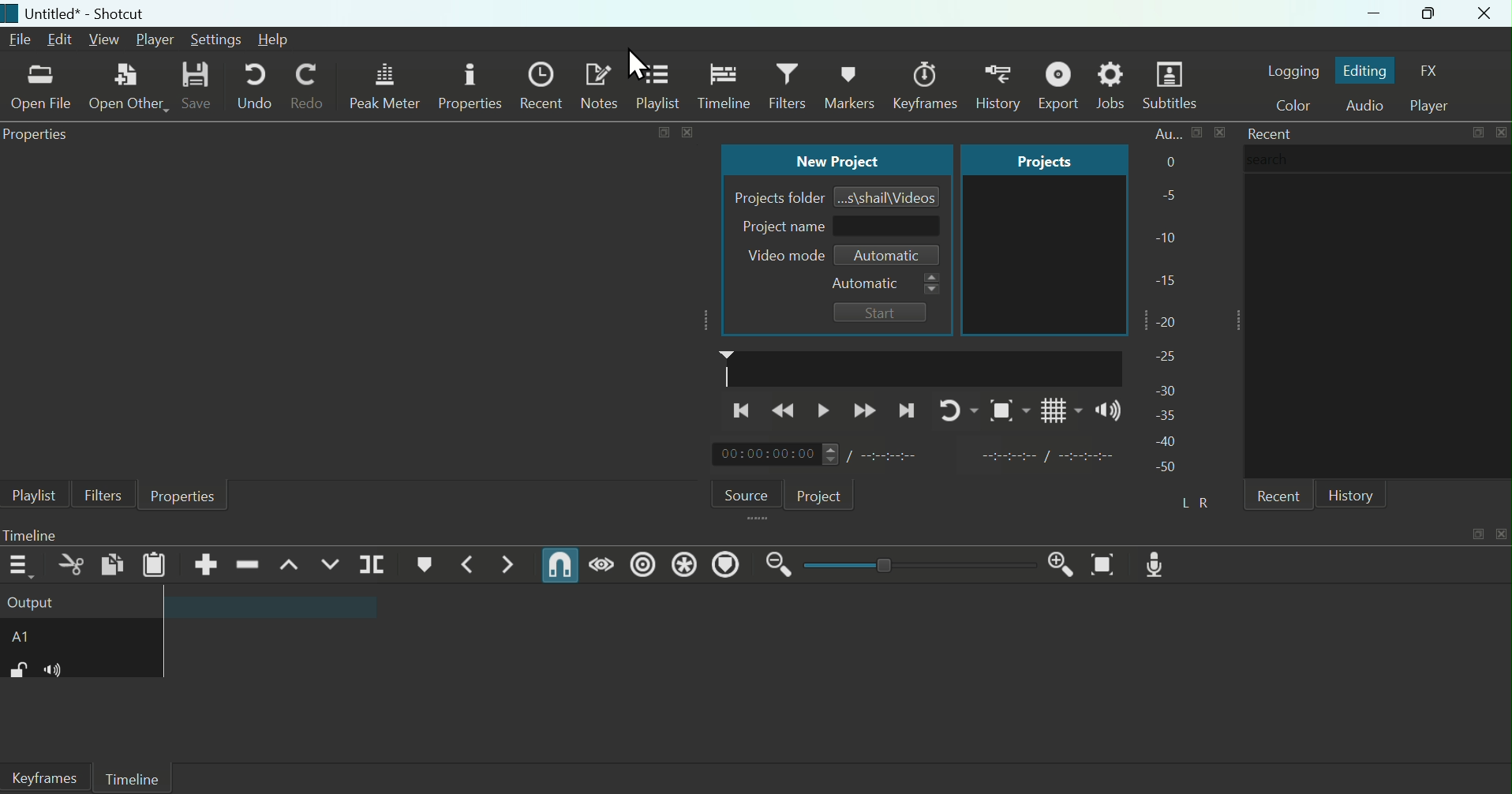  I want to click on Properties, so click(39, 136).